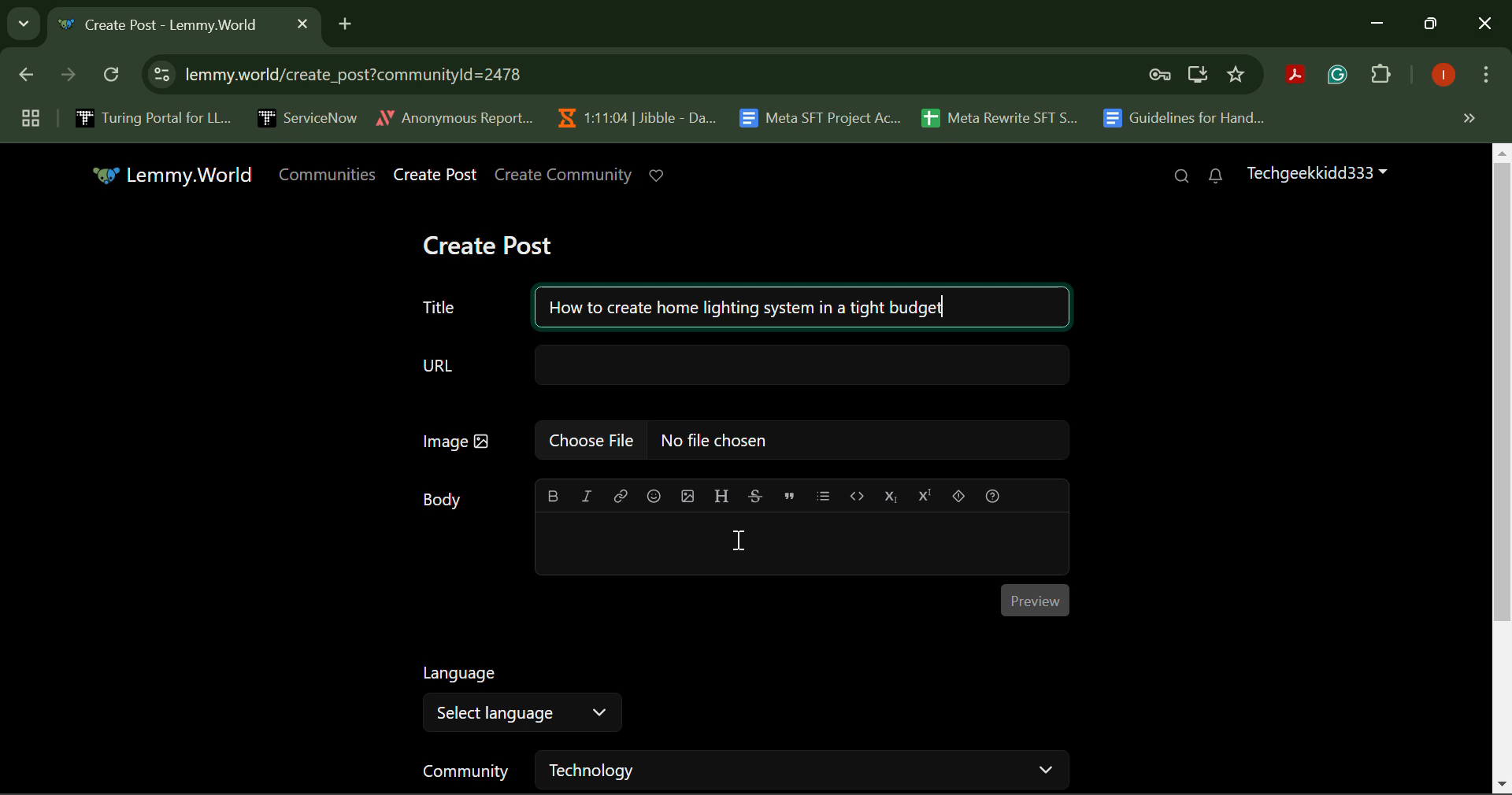 This screenshot has height=795, width=1512. I want to click on Meta Rewrite SFT, so click(1006, 116).